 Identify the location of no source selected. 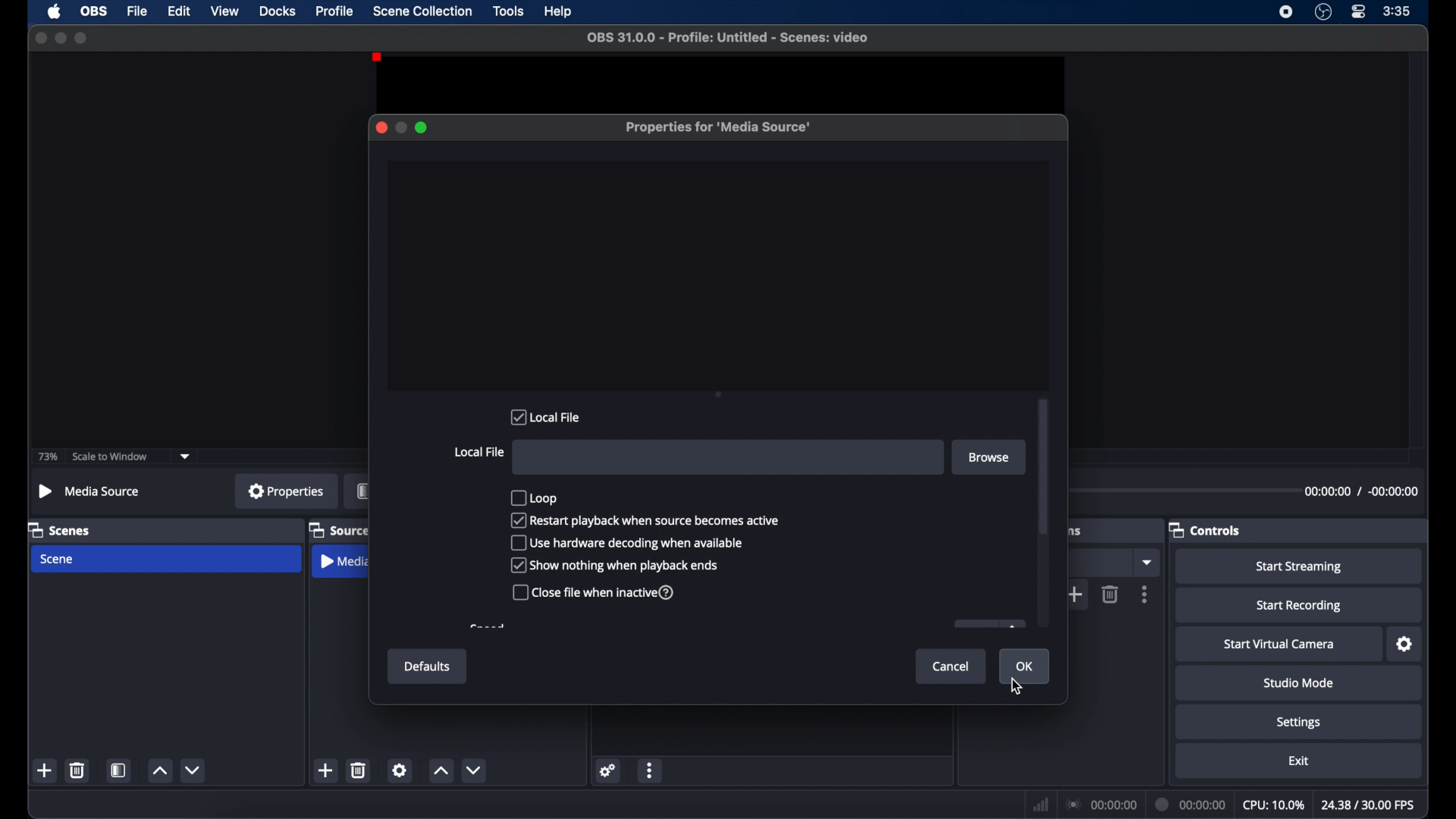
(90, 492).